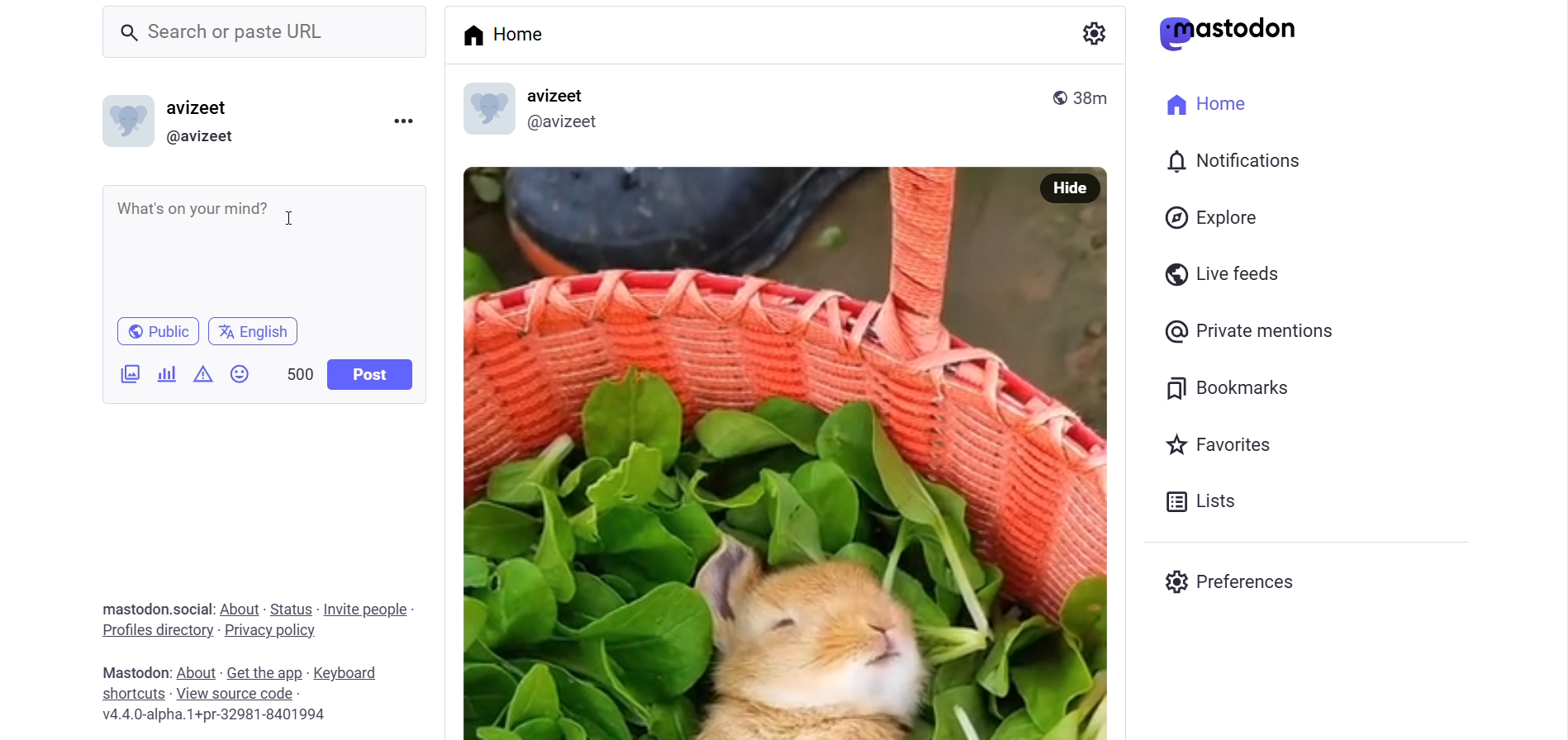  I want to click on Invite People, so click(368, 610).